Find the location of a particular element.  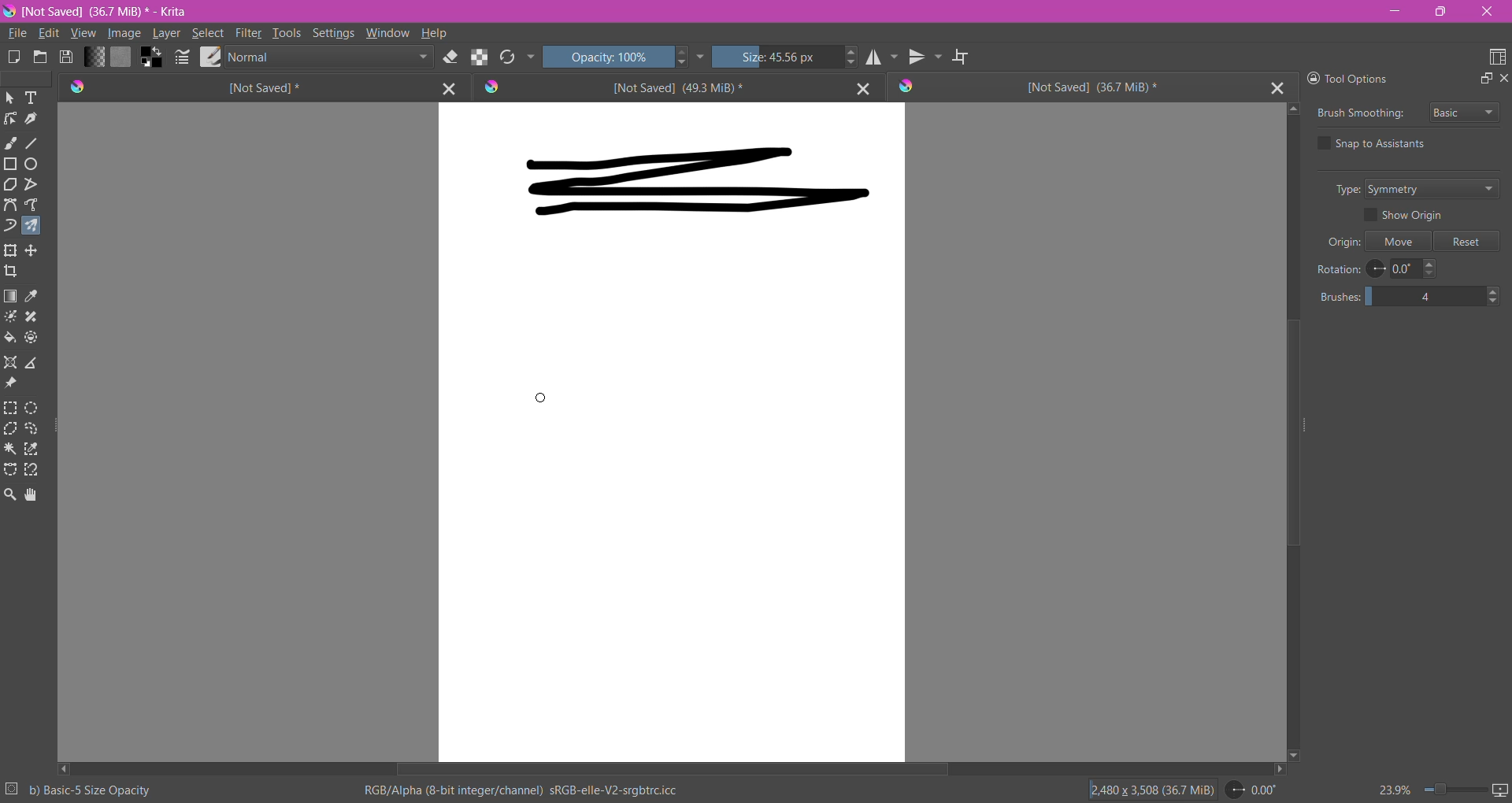

Close Tab is located at coordinates (859, 87).